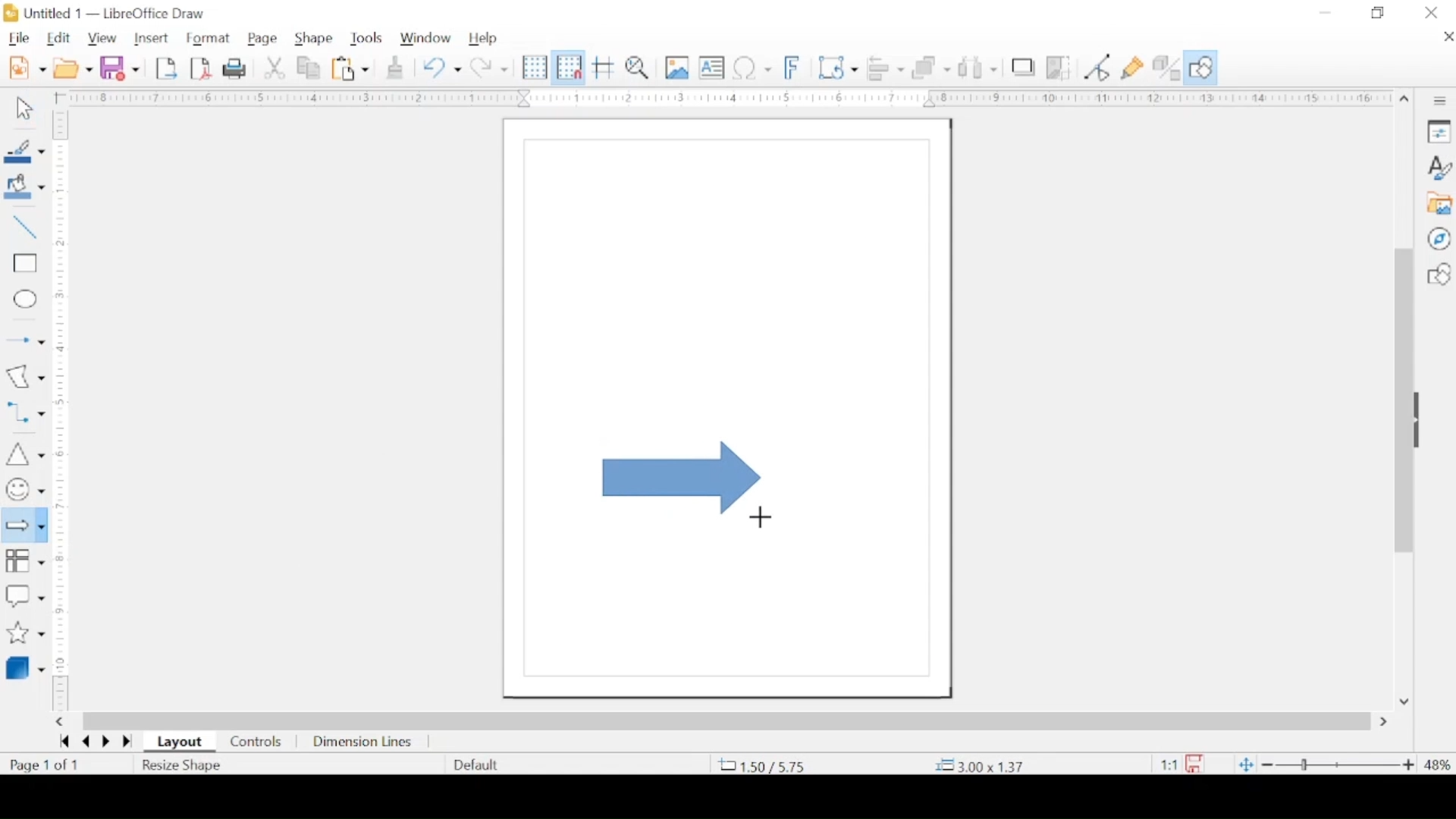 This screenshot has height=819, width=1456. I want to click on controls, so click(257, 742).